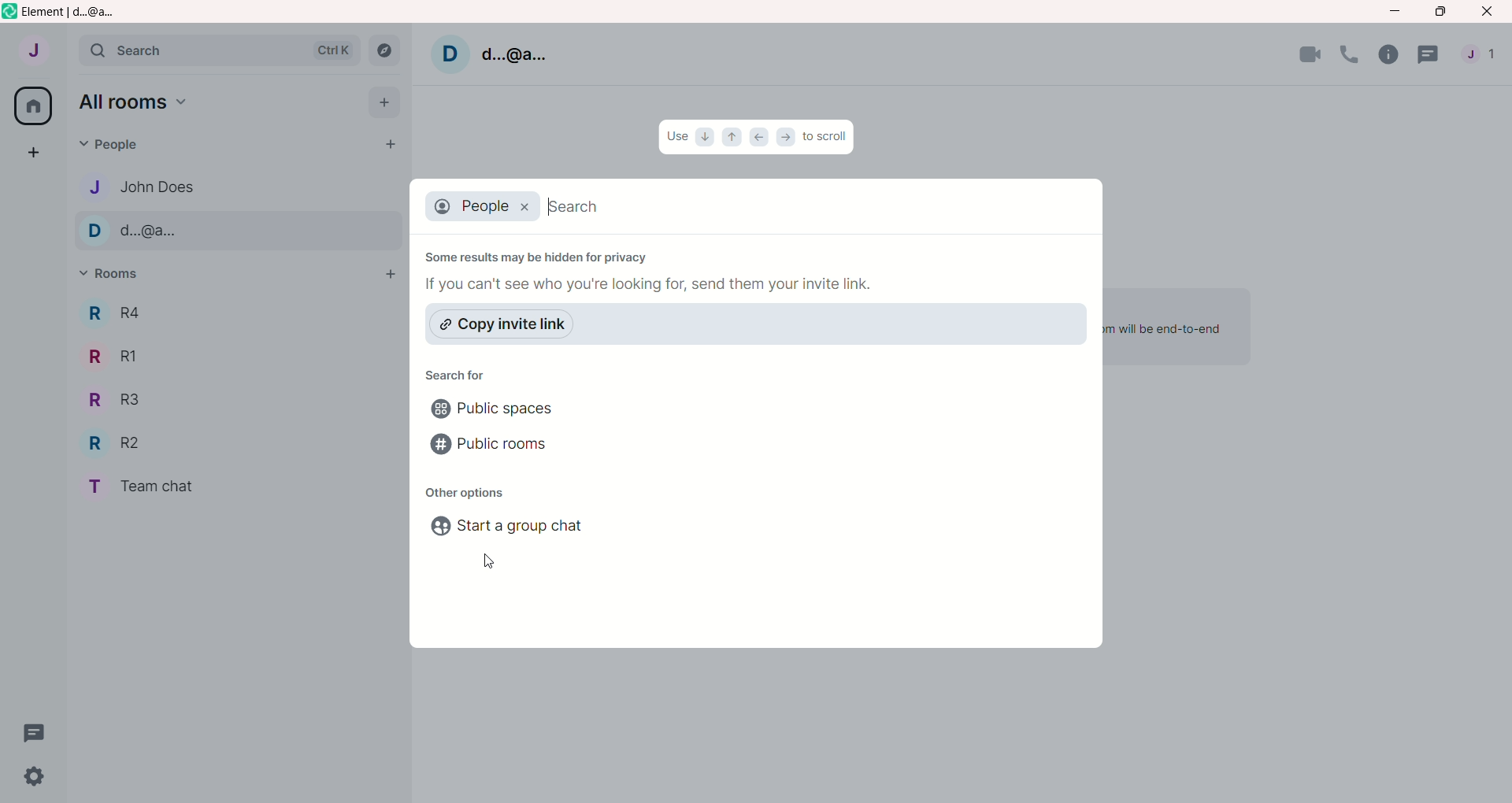 This screenshot has height=803, width=1512. I want to click on to scroll, so click(826, 135).